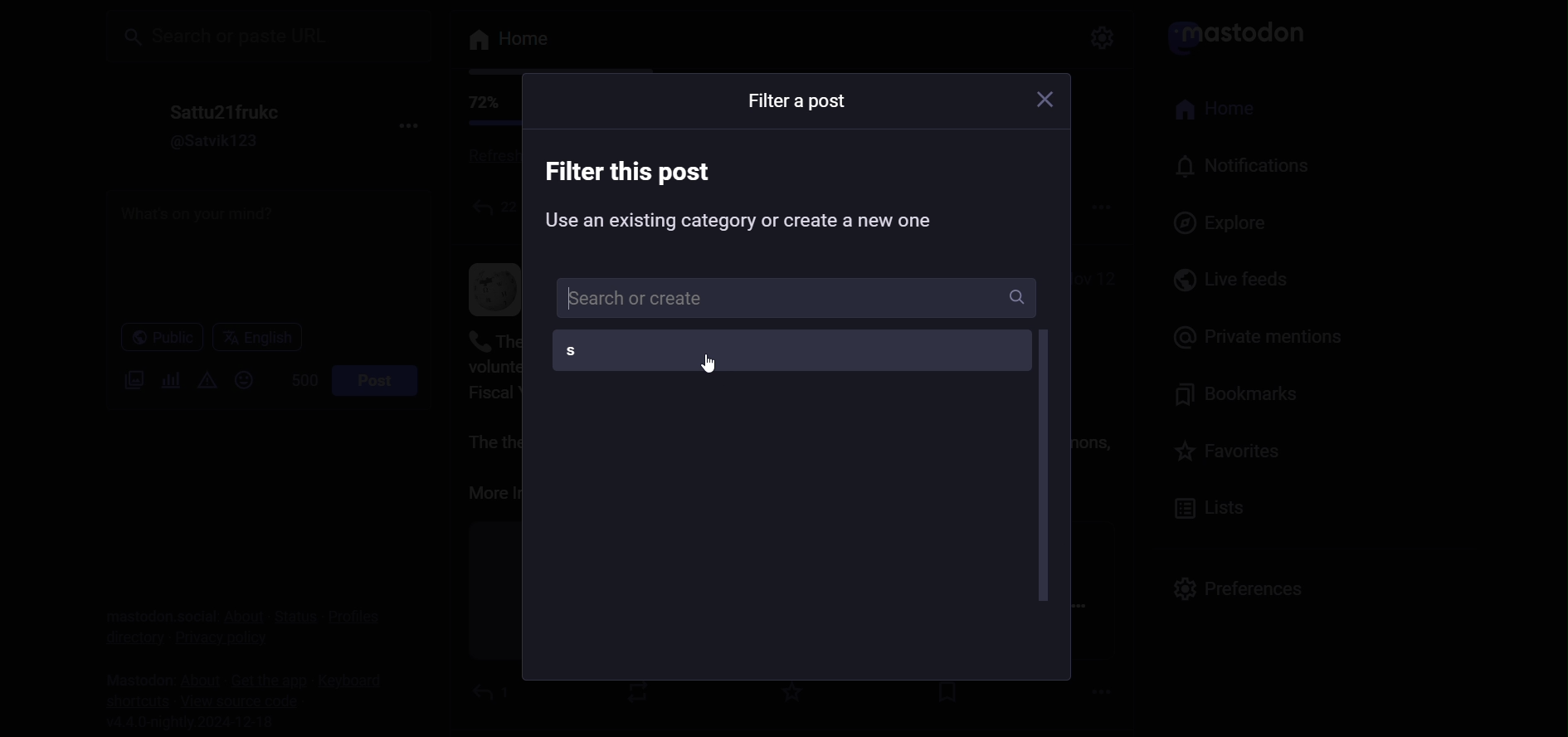 The image size is (1568, 737). I want to click on search filter, so click(800, 298).